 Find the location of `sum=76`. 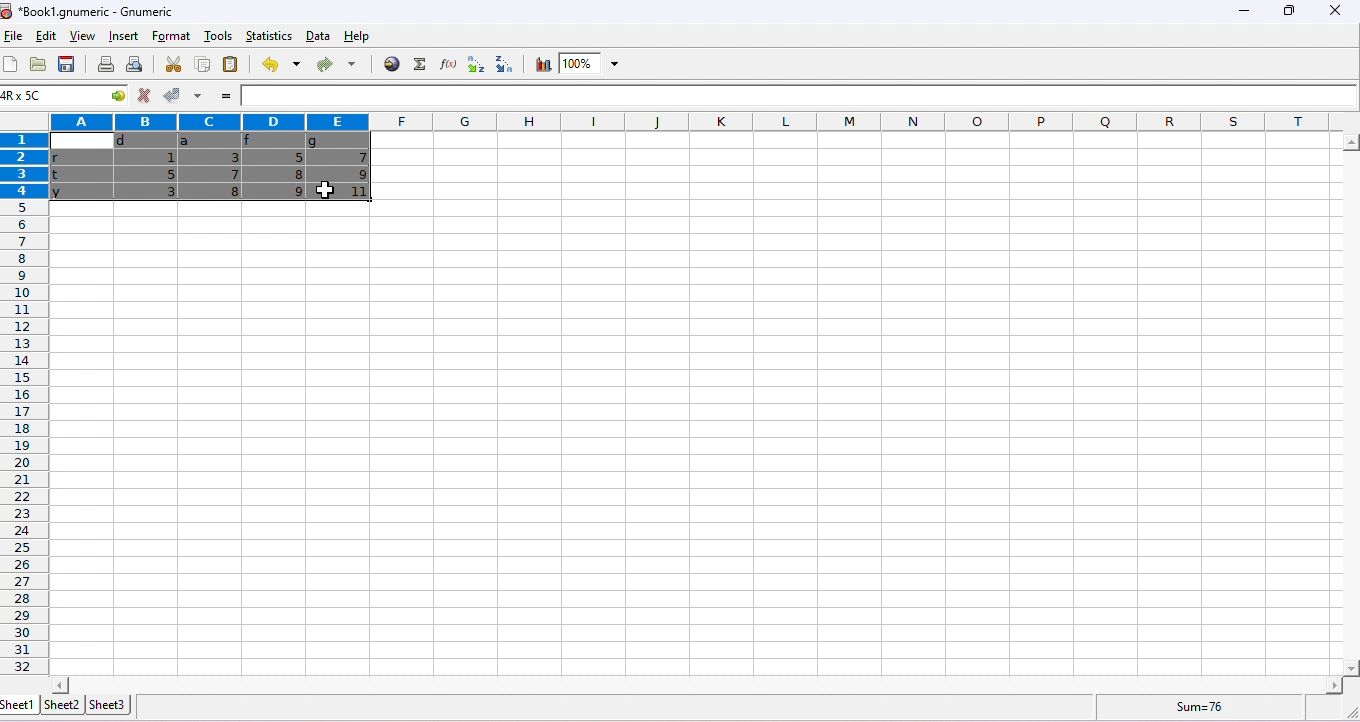

sum=76 is located at coordinates (1204, 706).